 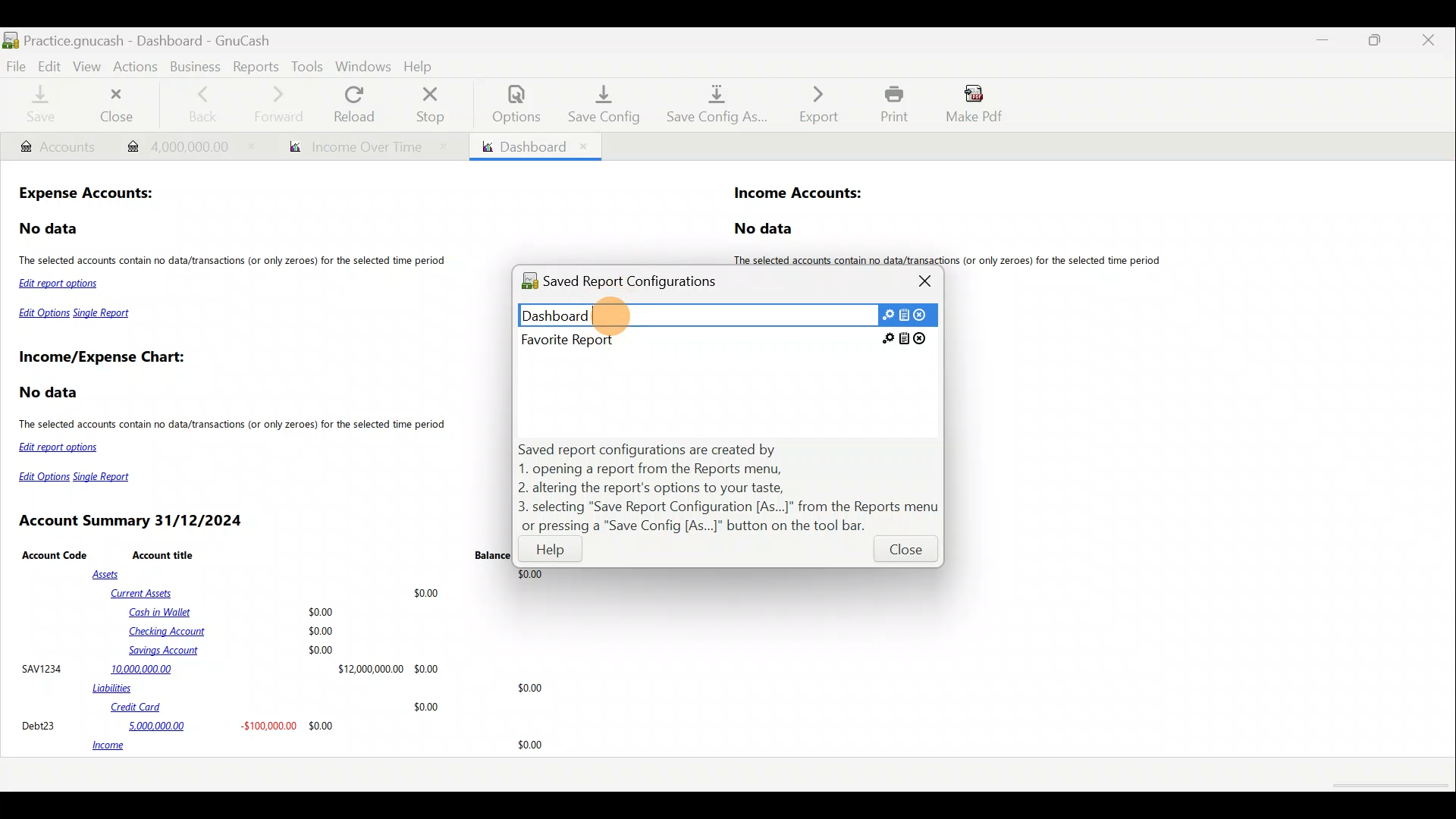 I want to click on Tools, so click(x=307, y=66).